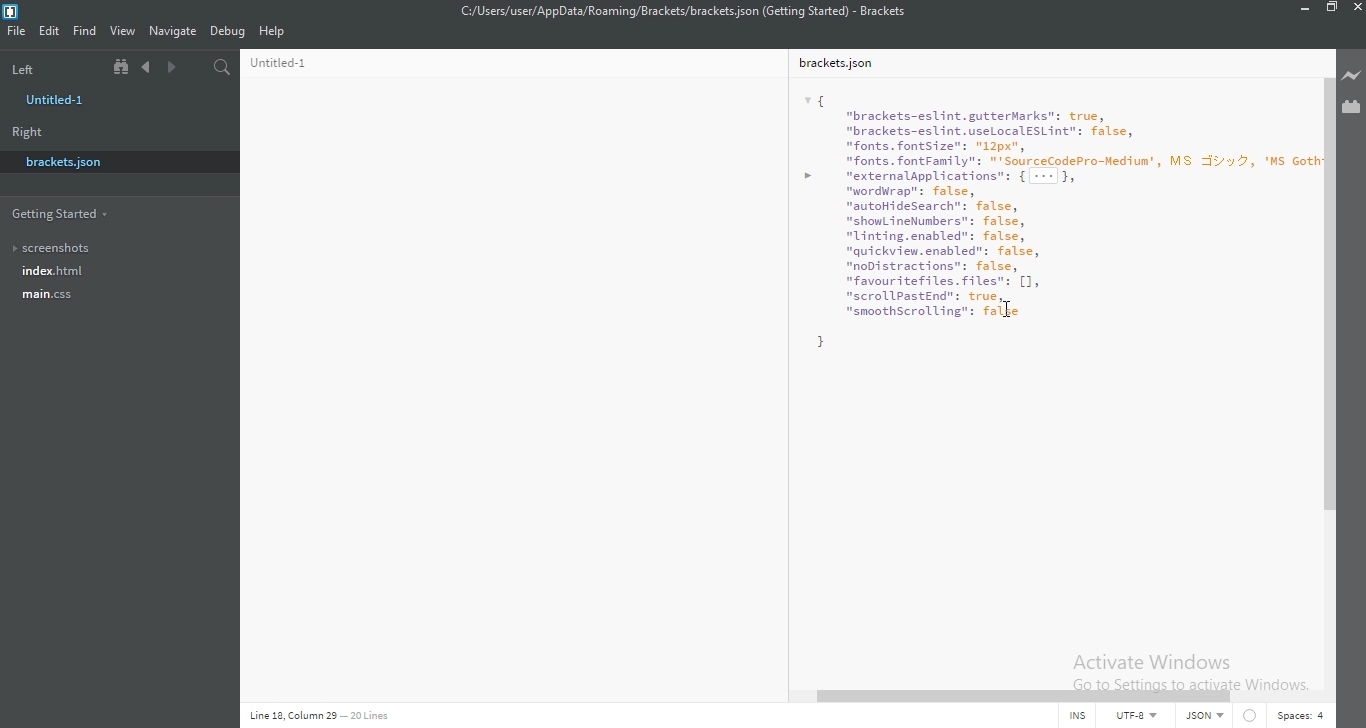 The image size is (1366, 728). What do you see at coordinates (17, 31) in the screenshot?
I see `File` at bounding box center [17, 31].